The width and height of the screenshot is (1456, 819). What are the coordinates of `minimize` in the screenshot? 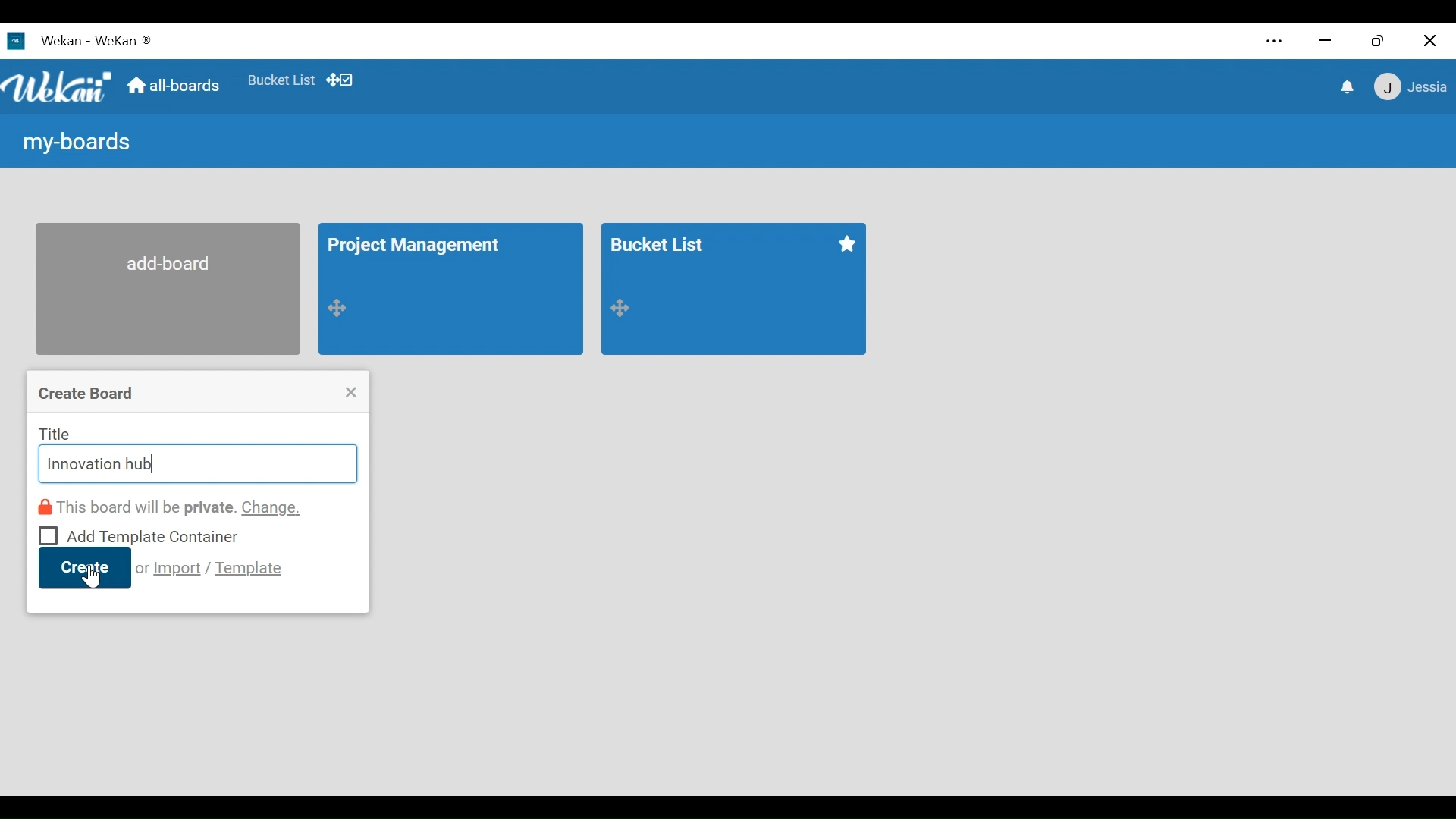 It's located at (1327, 39).